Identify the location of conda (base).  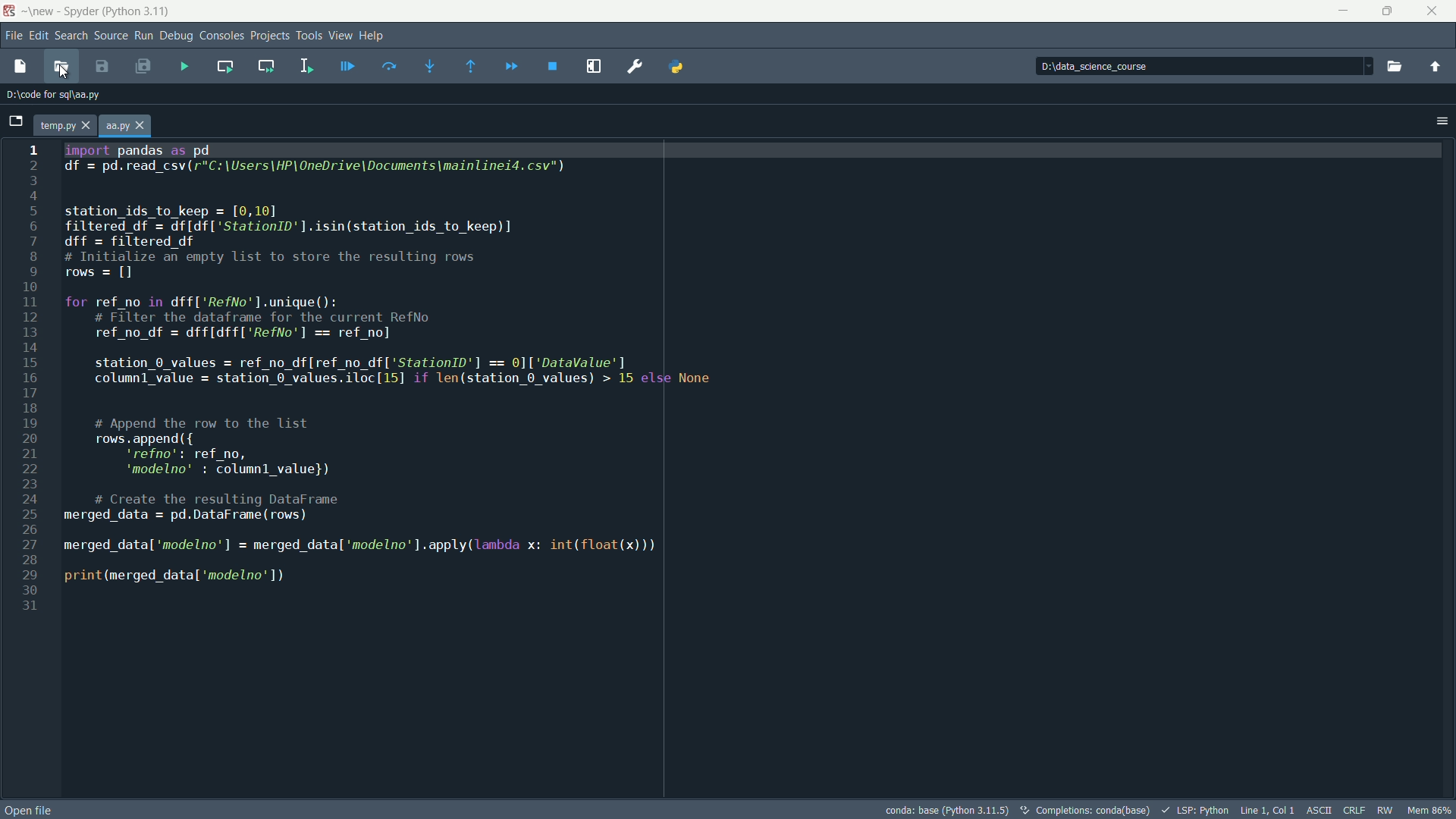
(1086, 810).